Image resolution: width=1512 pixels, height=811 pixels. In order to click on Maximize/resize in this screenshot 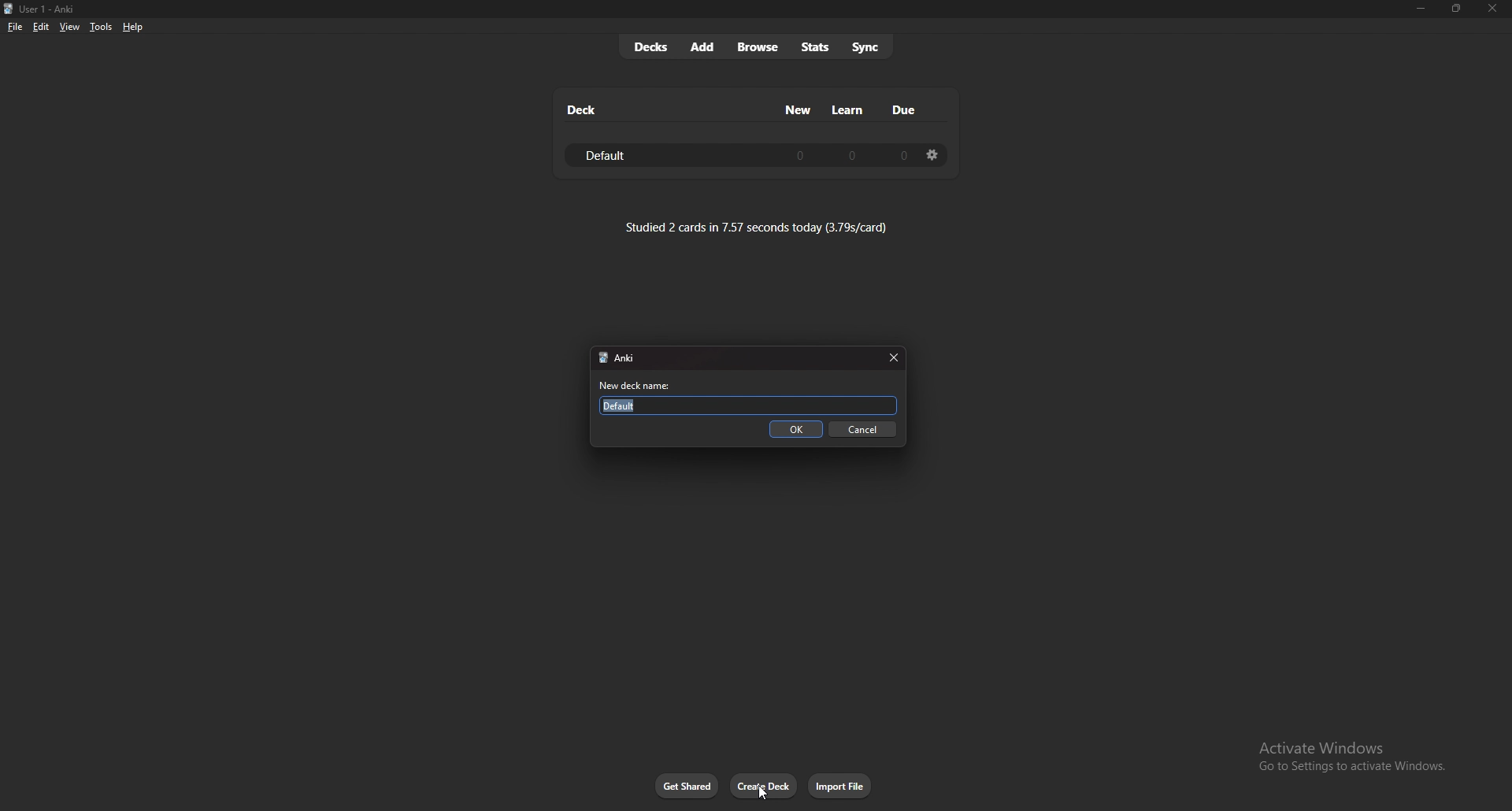, I will do `click(1455, 9)`.